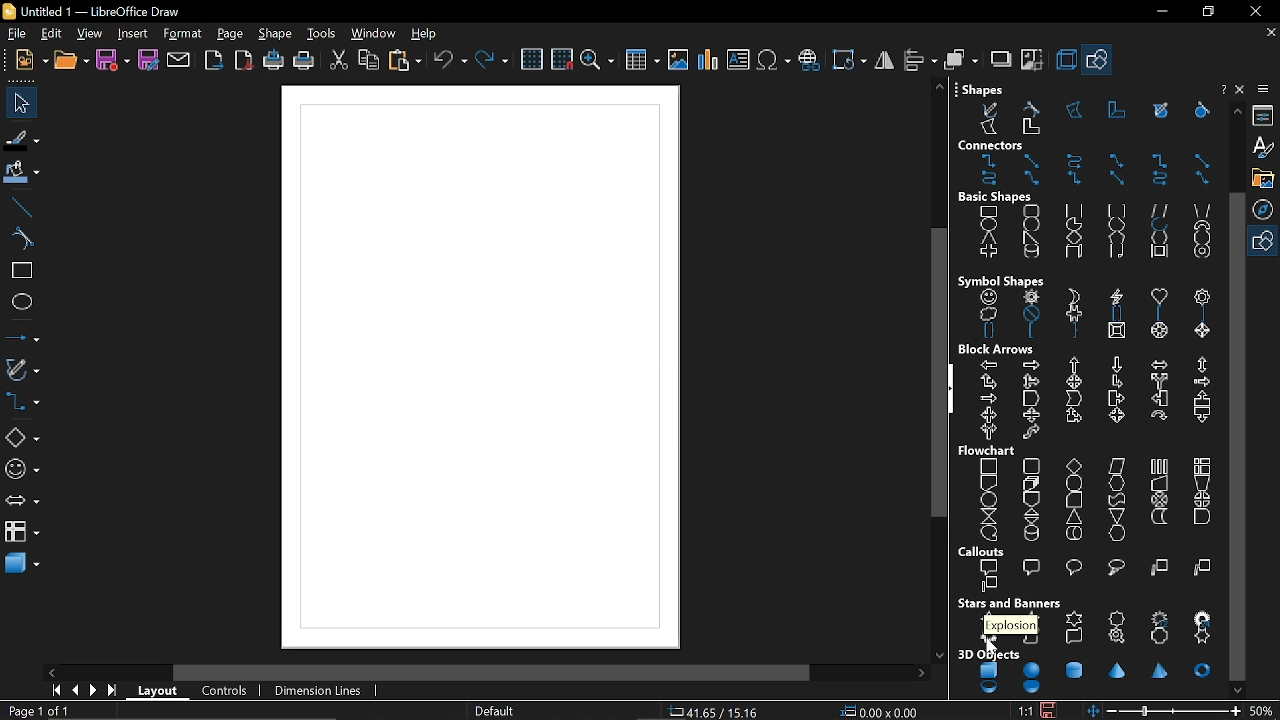  What do you see at coordinates (1026, 710) in the screenshot?
I see `scaling factor (1:1)` at bounding box center [1026, 710].